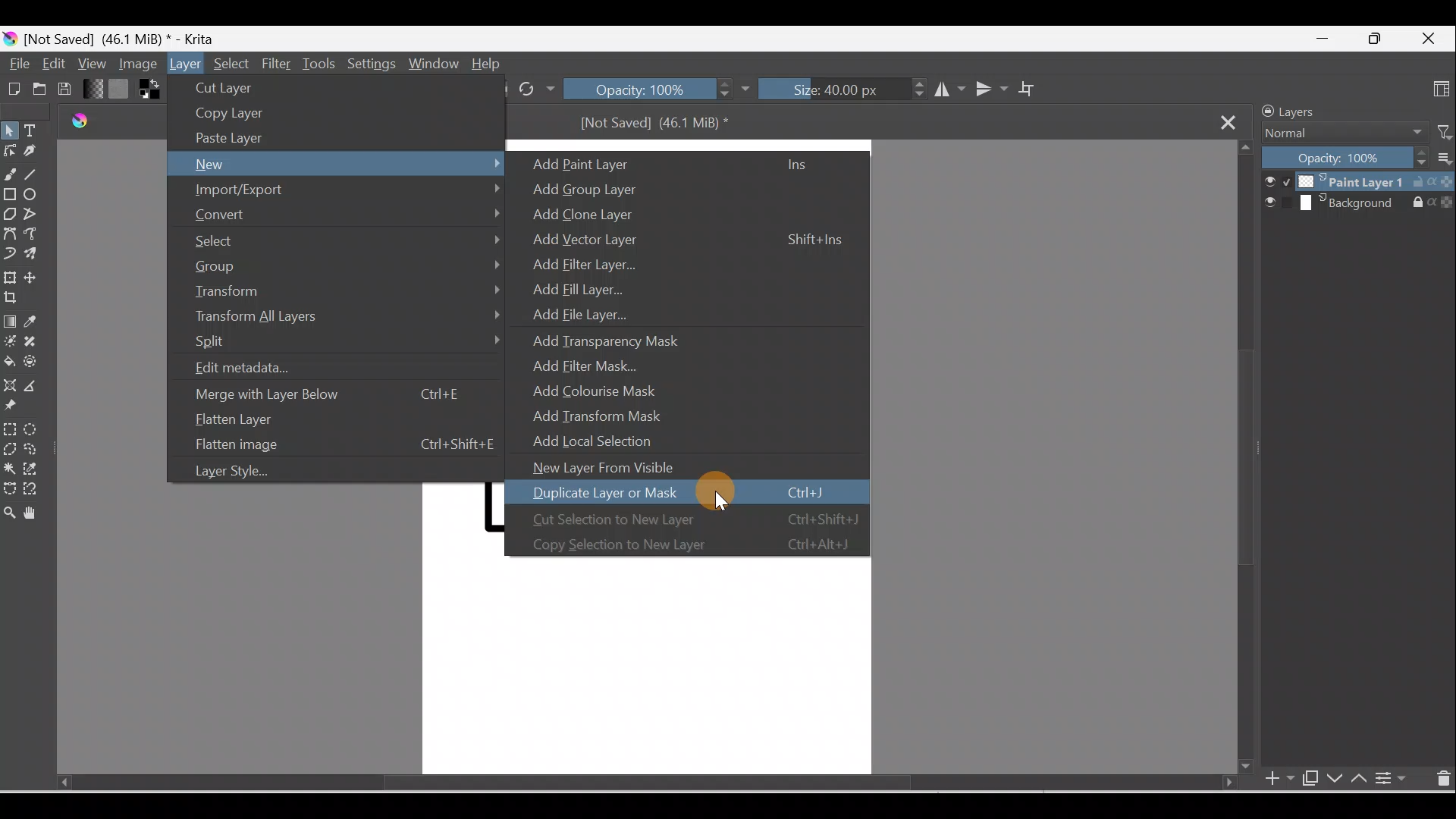  What do you see at coordinates (344, 290) in the screenshot?
I see `Transform` at bounding box center [344, 290].